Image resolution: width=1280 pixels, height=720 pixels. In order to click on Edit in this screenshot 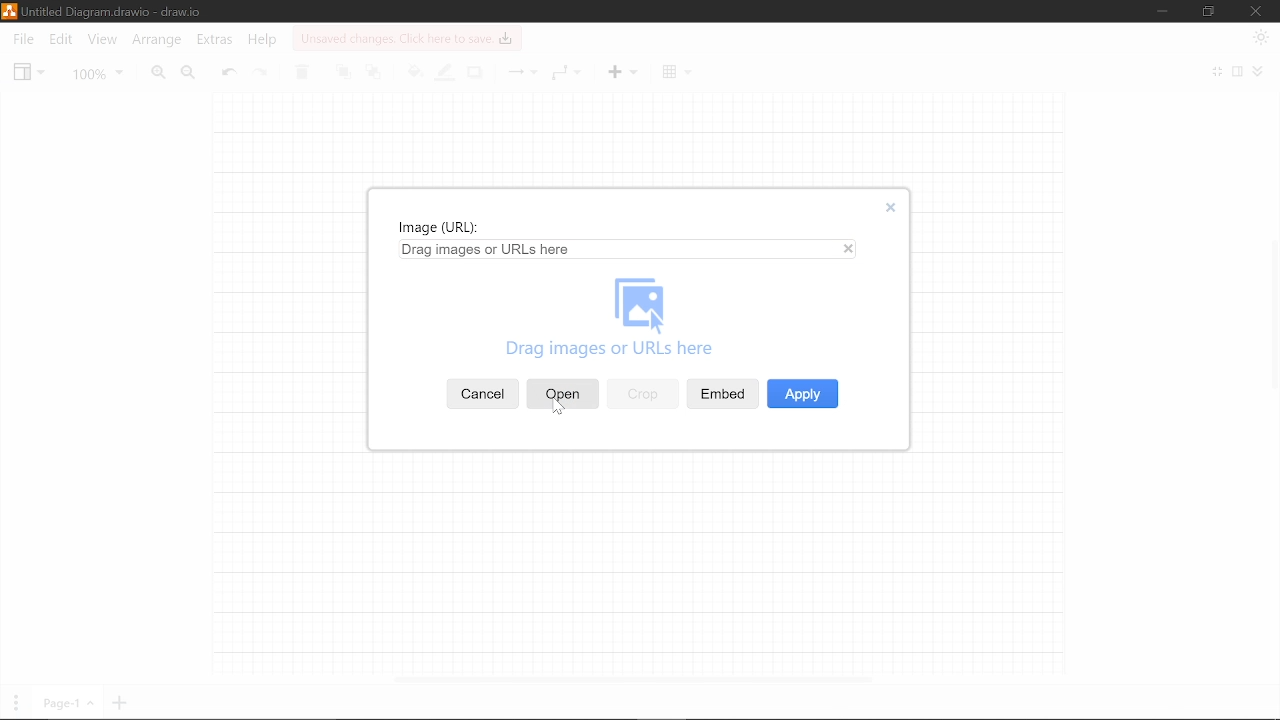, I will do `click(60, 41)`.